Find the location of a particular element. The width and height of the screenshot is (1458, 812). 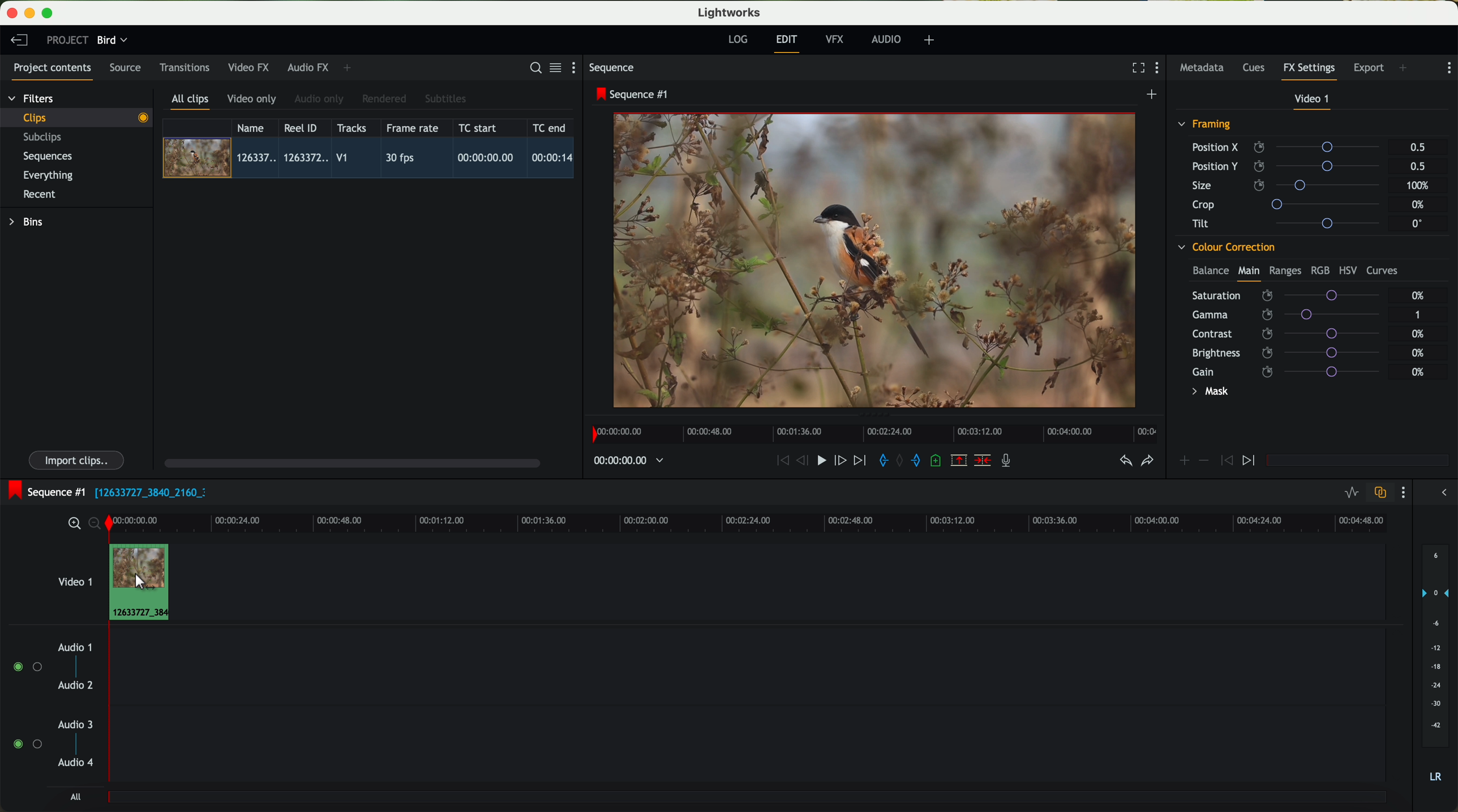

delete/cut is located at coordinates (983, 461).